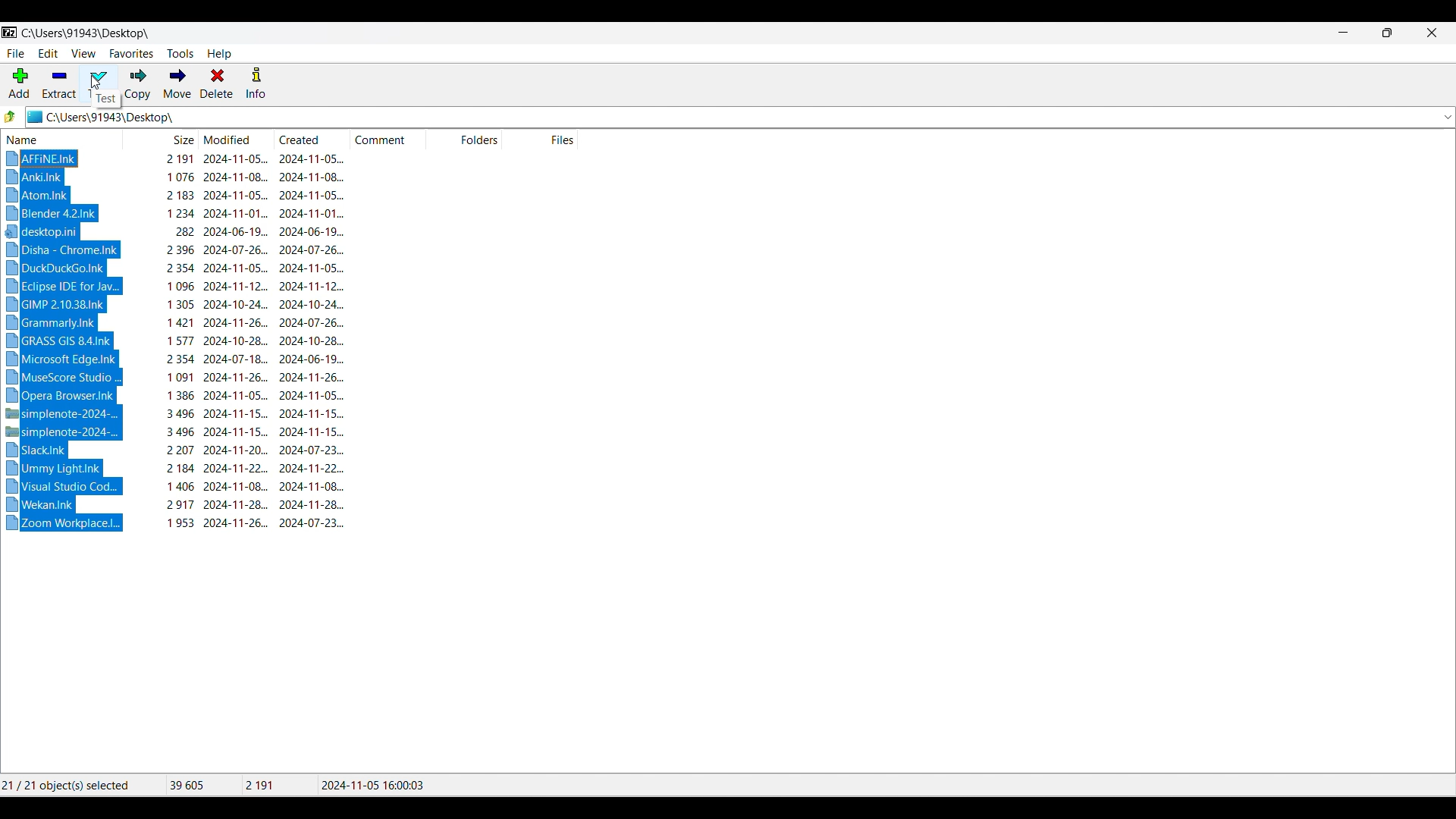  I want to click on Show interface in a smaller tab, so click(1387, 33).